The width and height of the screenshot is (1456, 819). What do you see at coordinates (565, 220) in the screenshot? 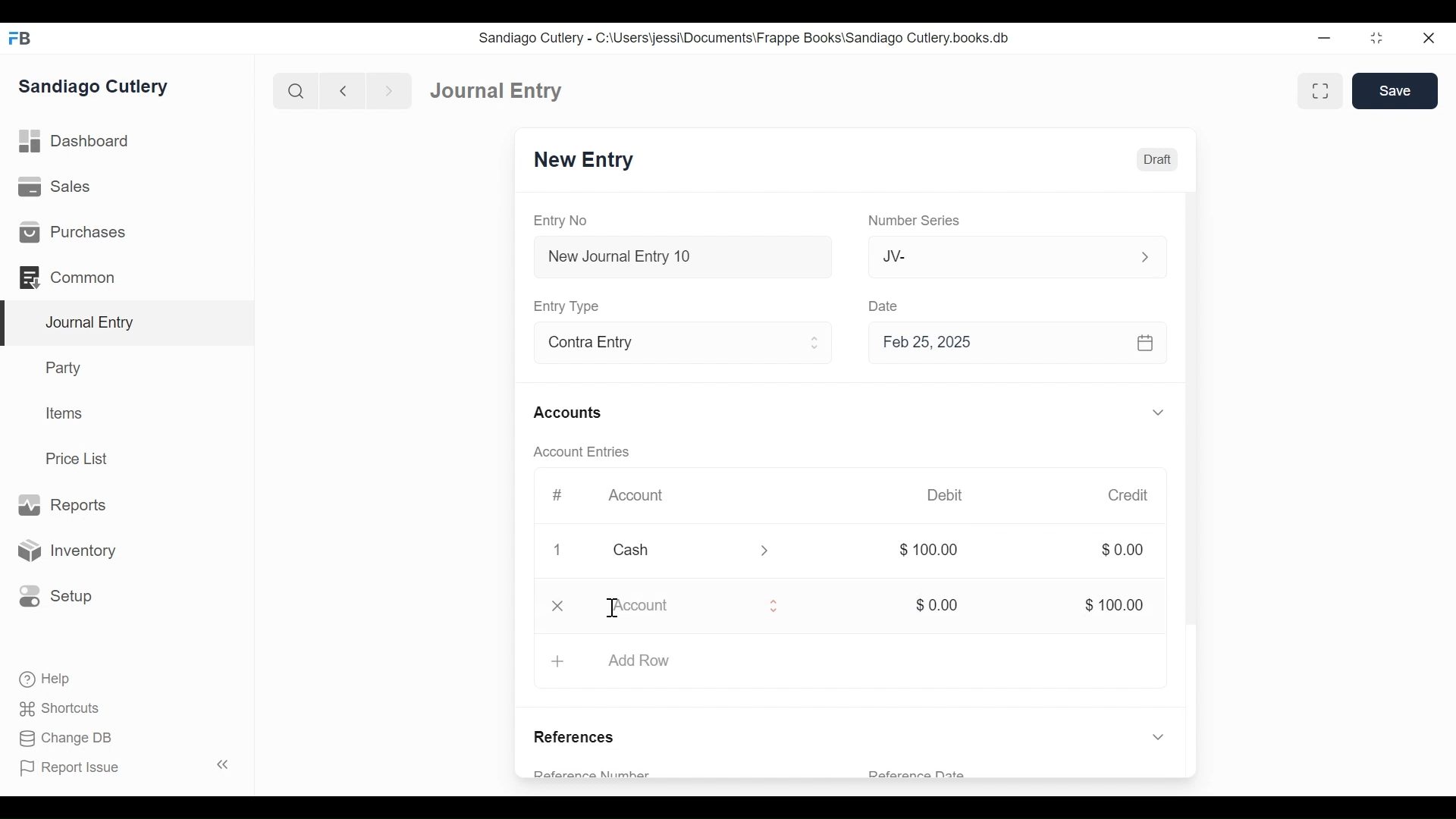
I see `Entry No` at bounding box center [565, 220].